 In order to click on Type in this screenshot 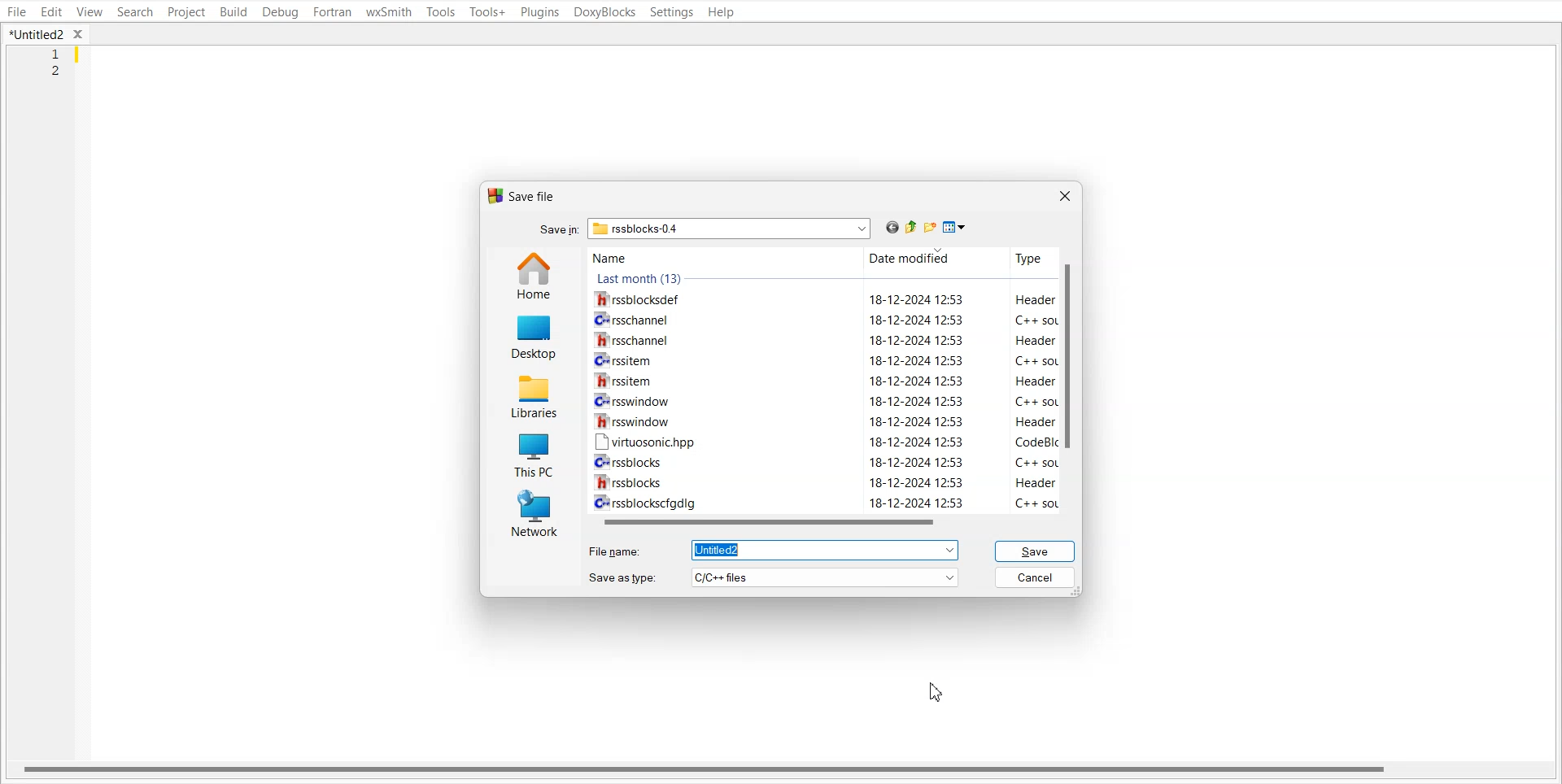, I will do `click(1029, 258)`.